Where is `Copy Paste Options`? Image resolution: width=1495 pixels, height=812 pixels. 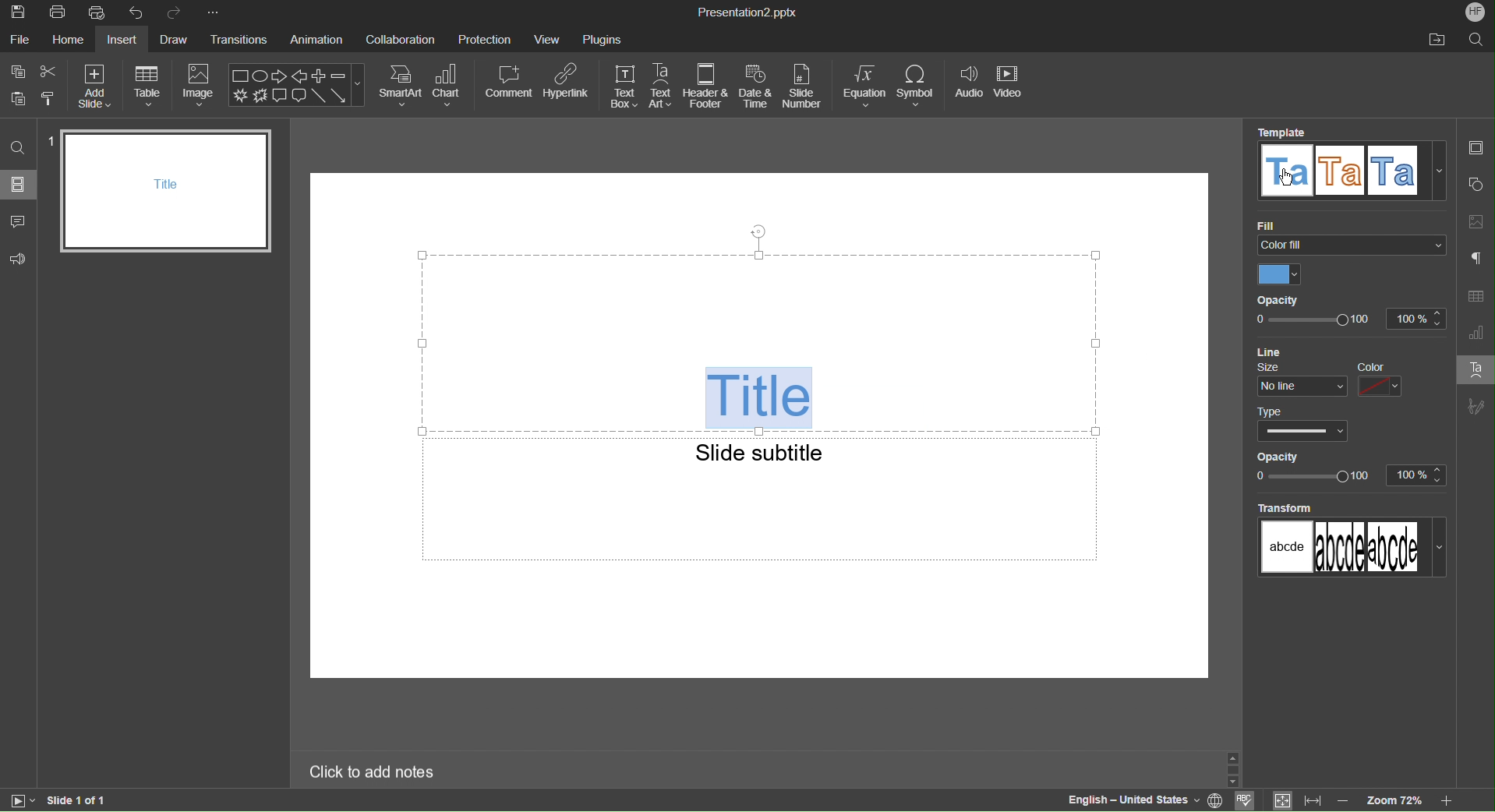
Copy Paste Options is located at coordinates (33, 86).